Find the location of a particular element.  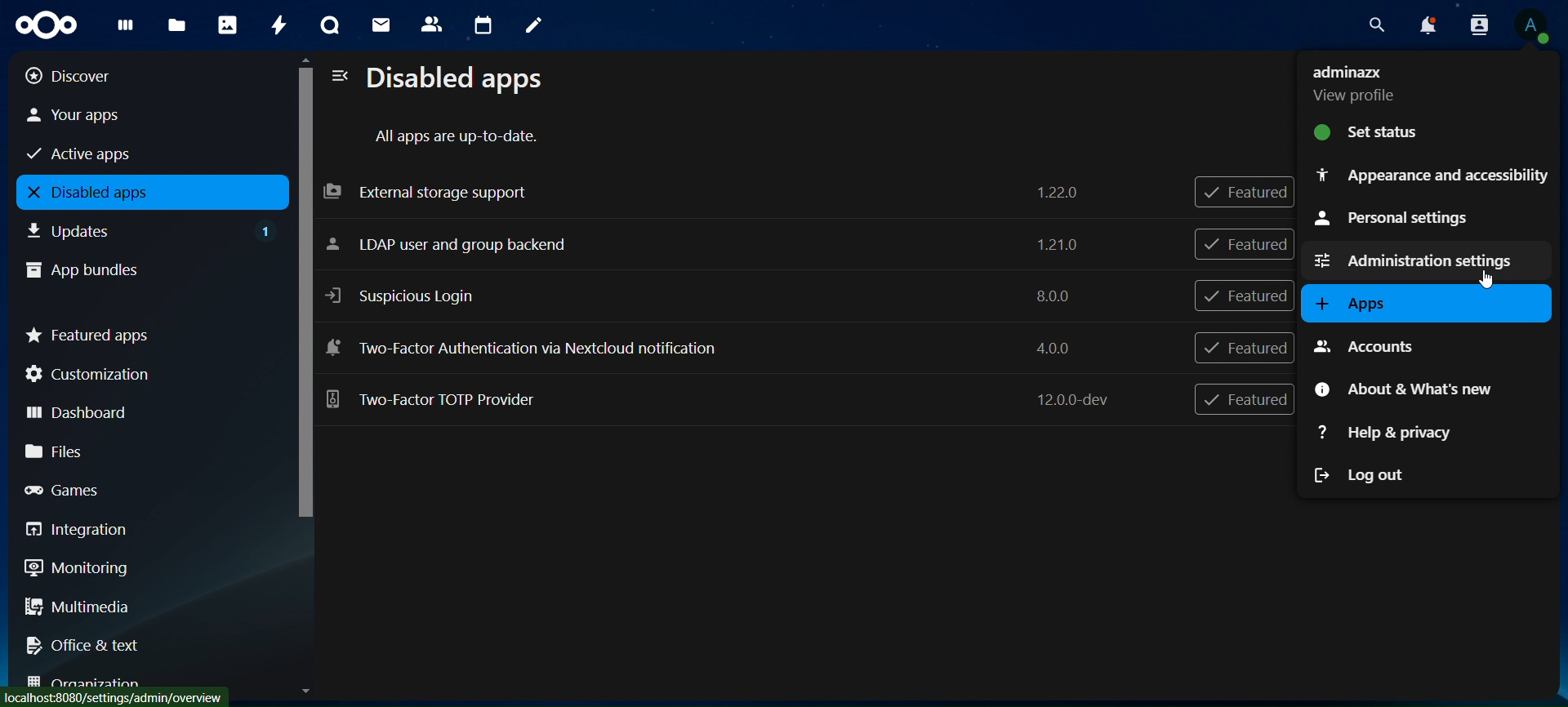

customization is located at coordinates (145, 374).